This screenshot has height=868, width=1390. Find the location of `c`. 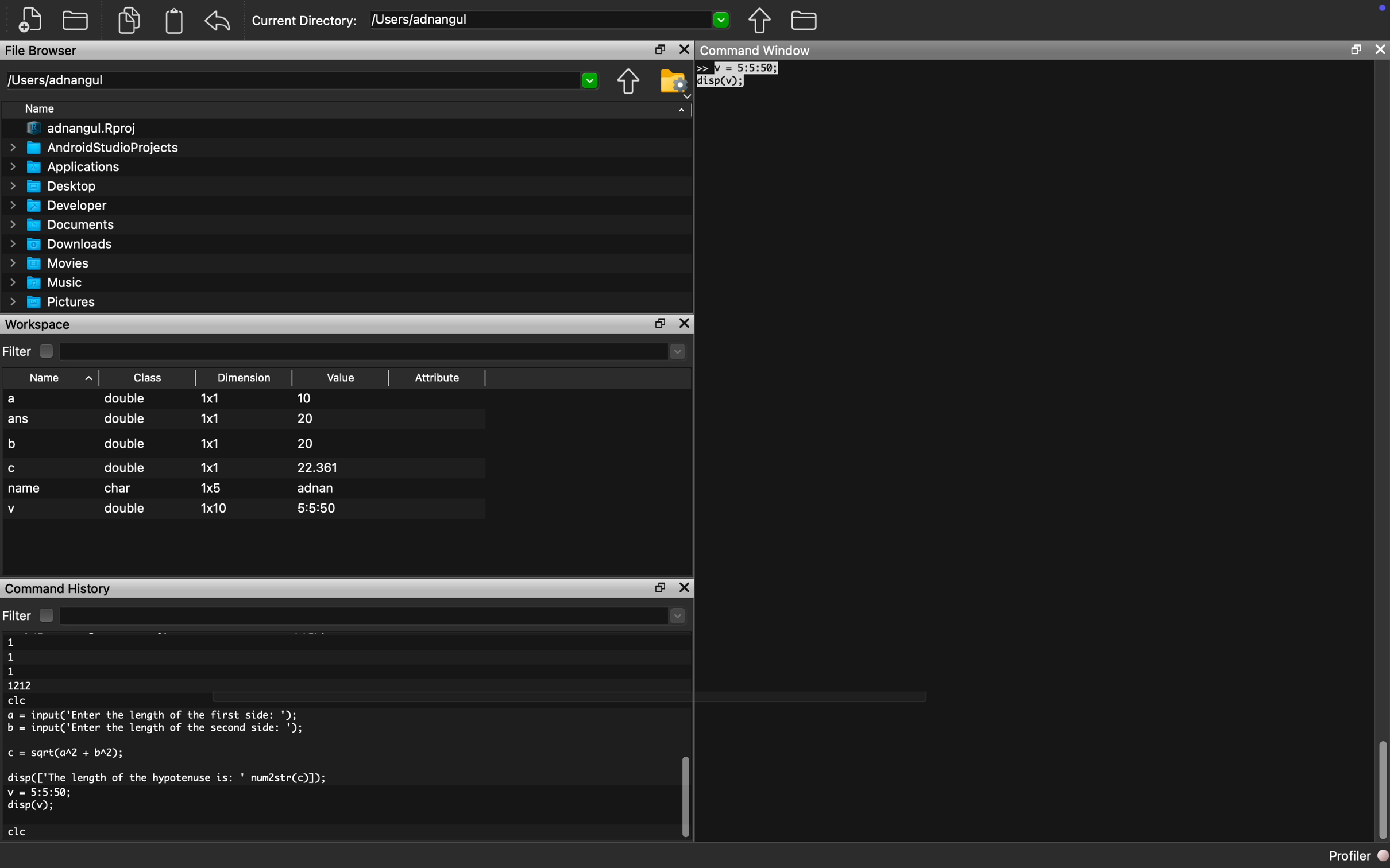

c is located at coordinates (14, 470).